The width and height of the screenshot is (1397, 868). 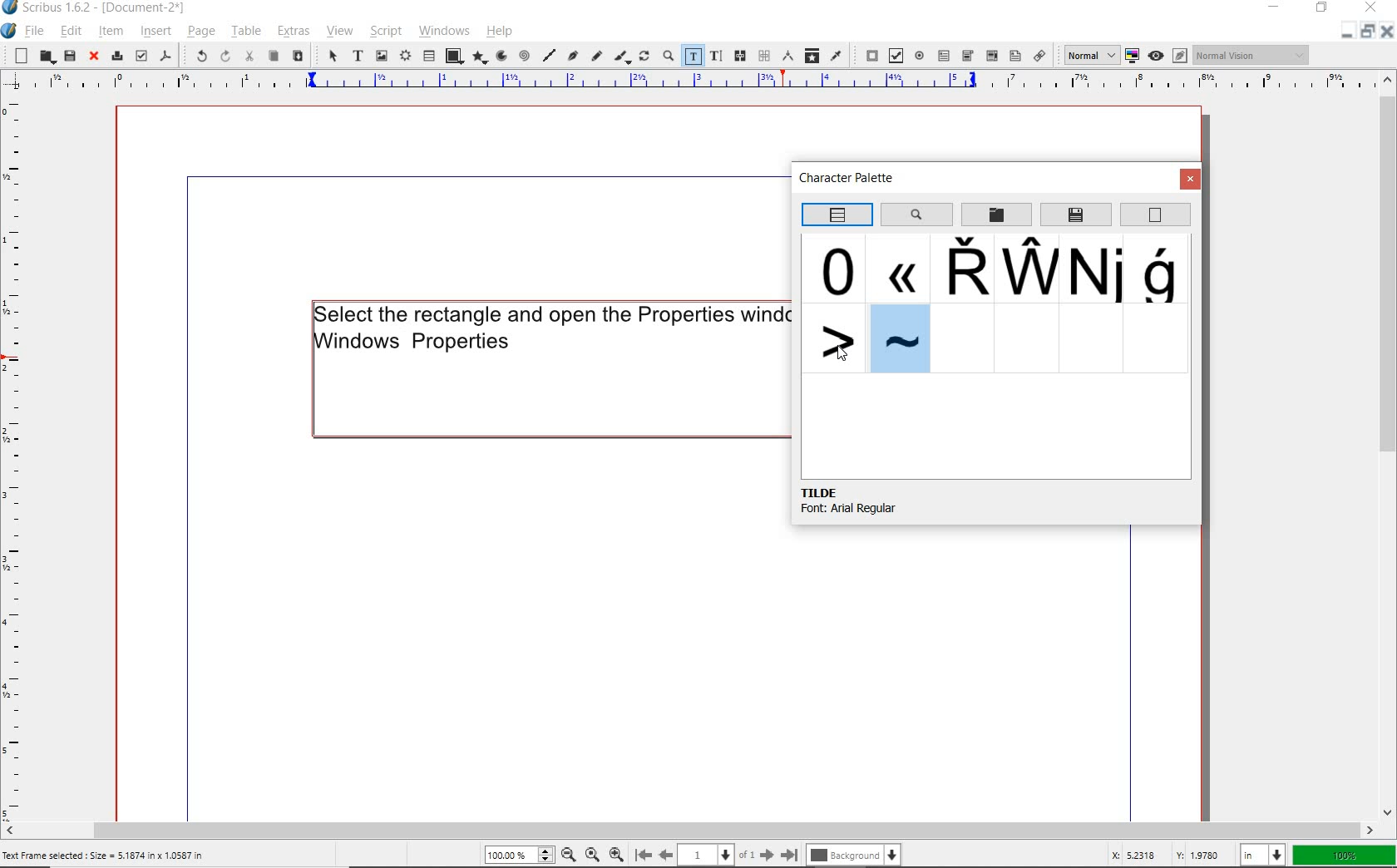 What do you see at coordinates (274, 57) in the screenshot?
I see `copy` at bounding box center [274, 57].